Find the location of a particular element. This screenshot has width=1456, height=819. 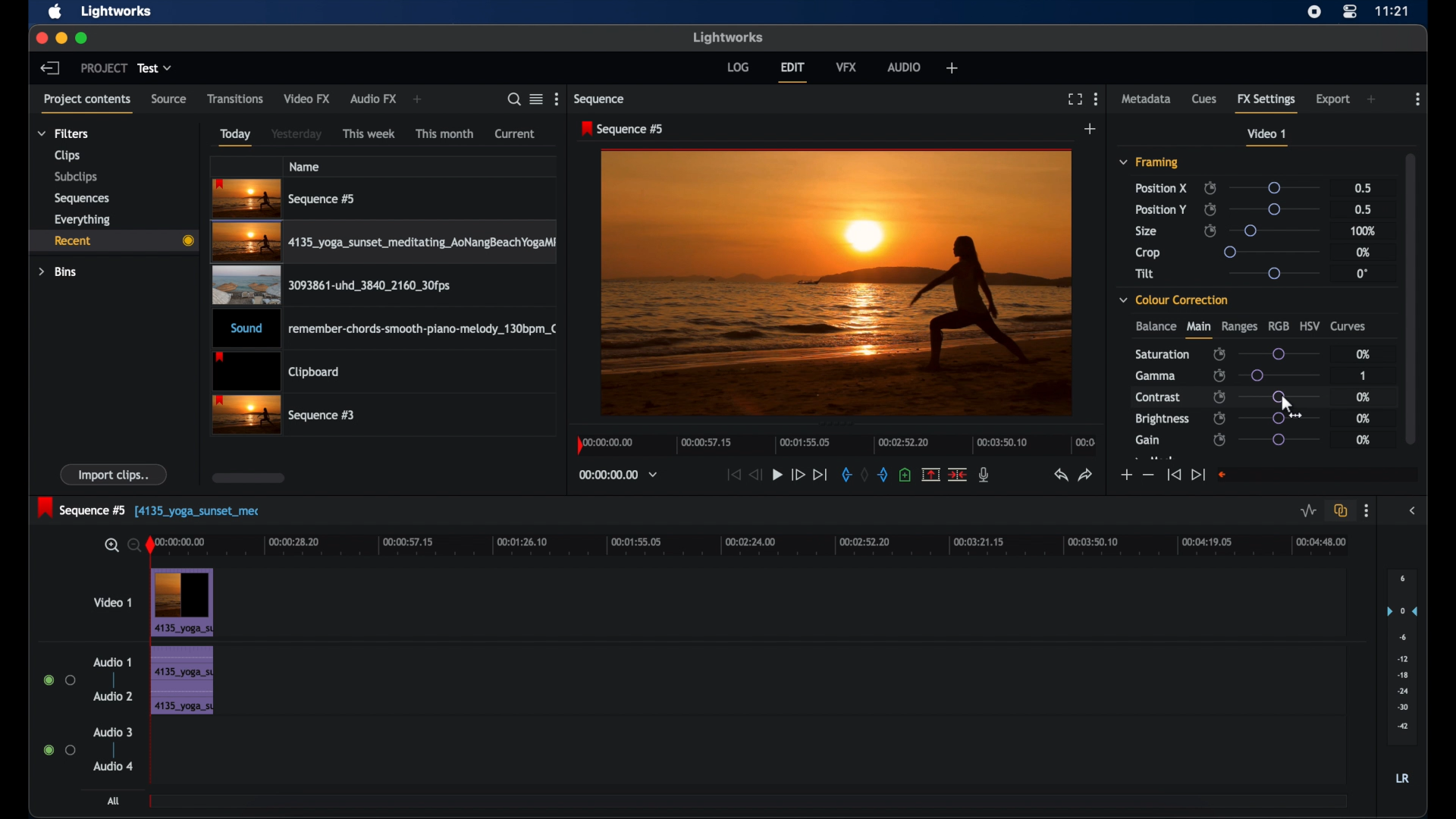

out mark is located at coordinates (884, 475).